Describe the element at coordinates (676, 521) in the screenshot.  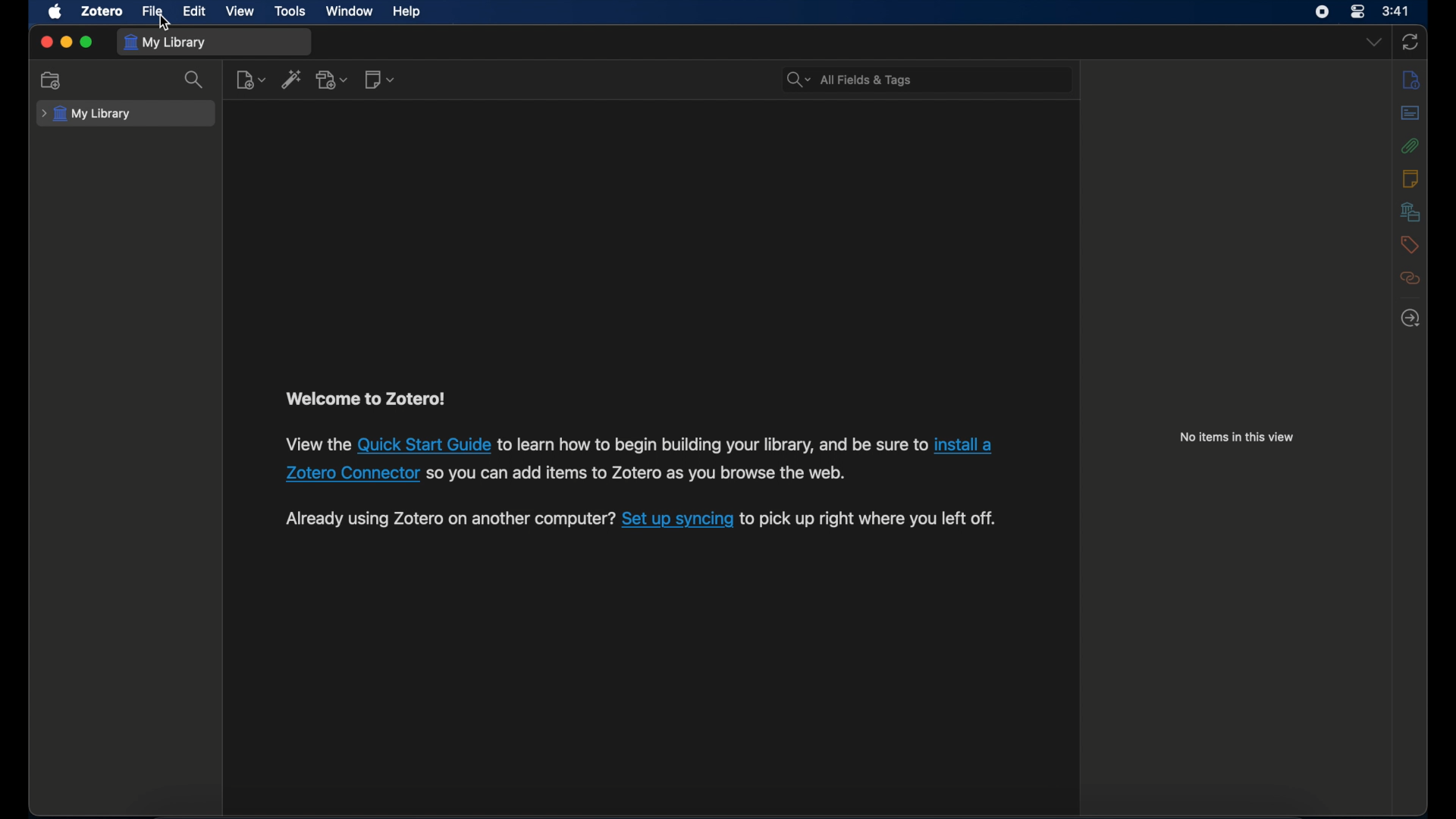
I see `link` at that location.